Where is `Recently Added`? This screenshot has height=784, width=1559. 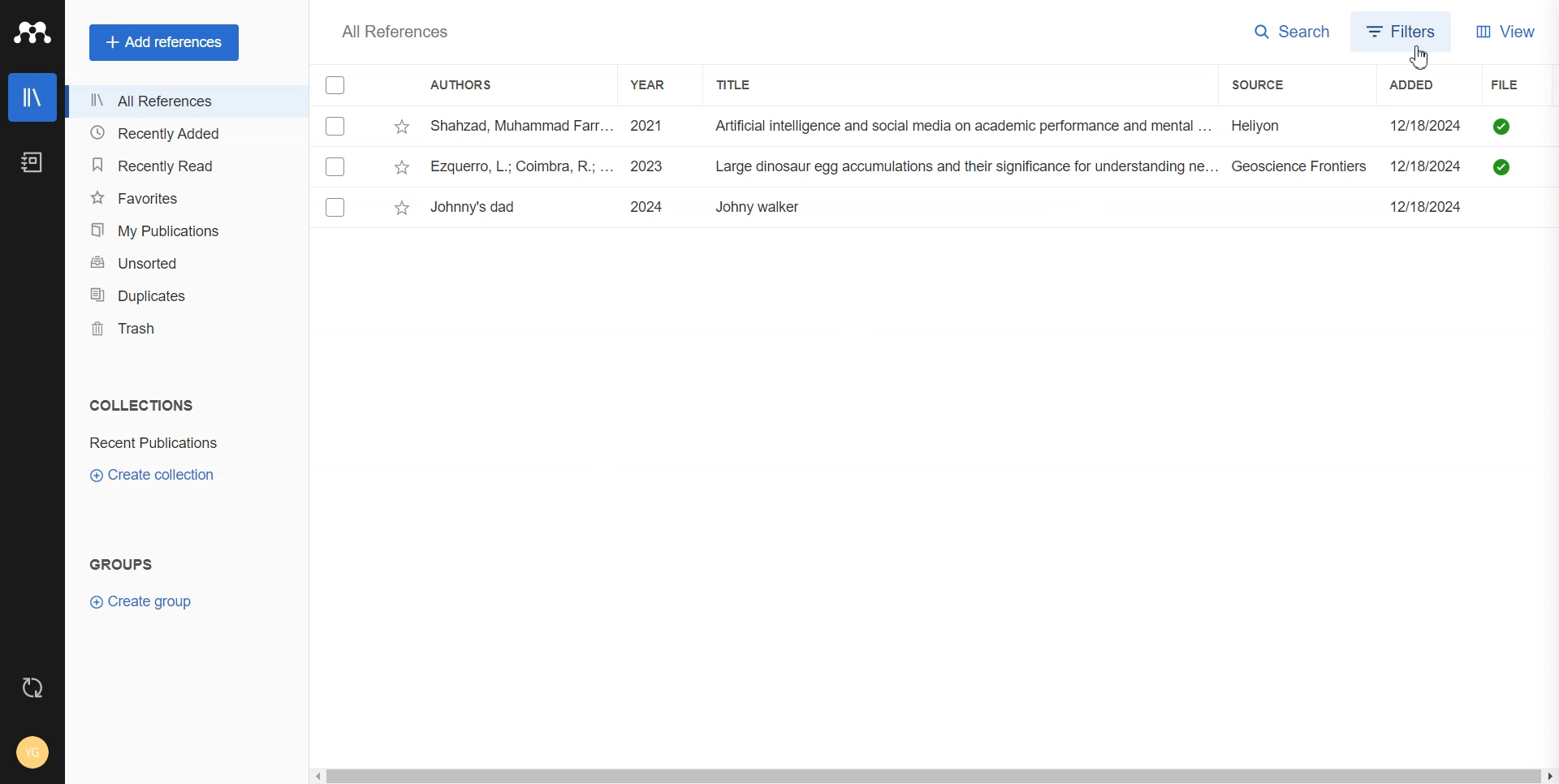 Recently Added is located at coordinates (181, 134).